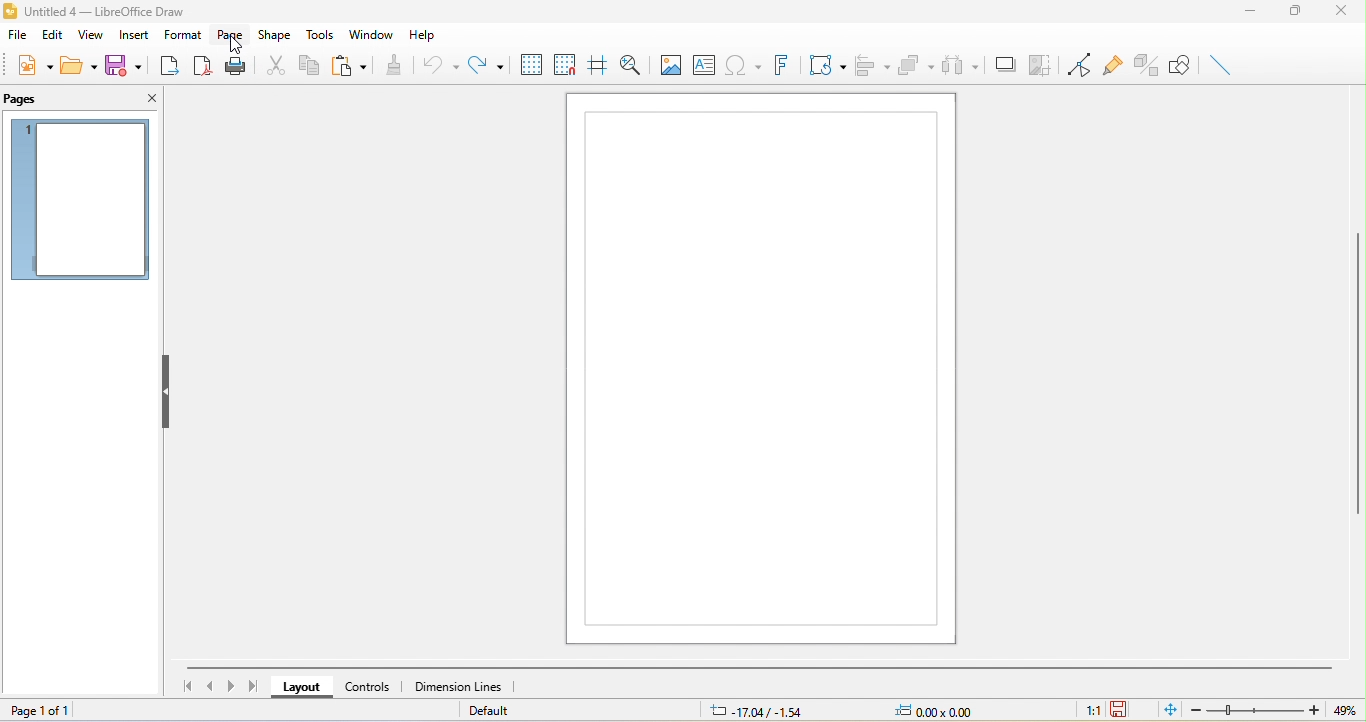 This screenshot has height=722, width=1366. Describe the element at coordinates (443, 66) in the screenshot. I see `undo` at that location.